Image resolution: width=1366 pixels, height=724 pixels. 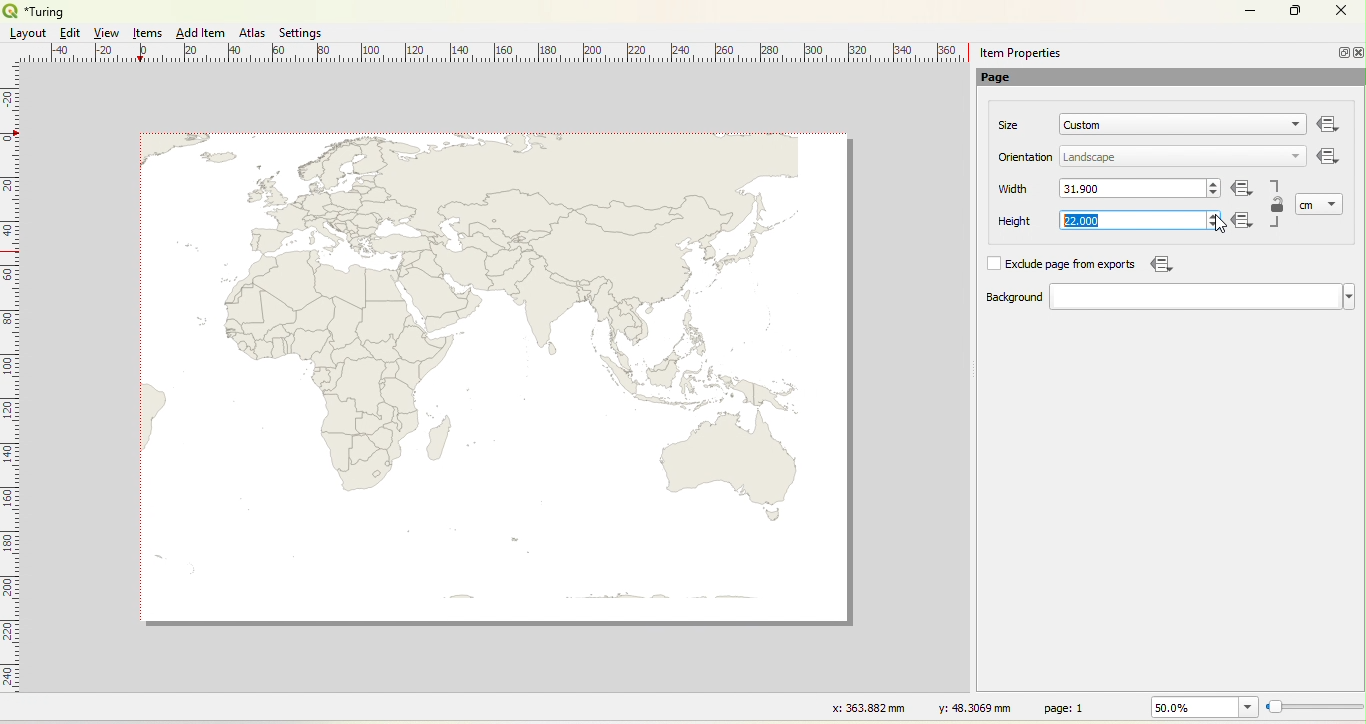 I want to click on Size, so click(x=1010, y=125).